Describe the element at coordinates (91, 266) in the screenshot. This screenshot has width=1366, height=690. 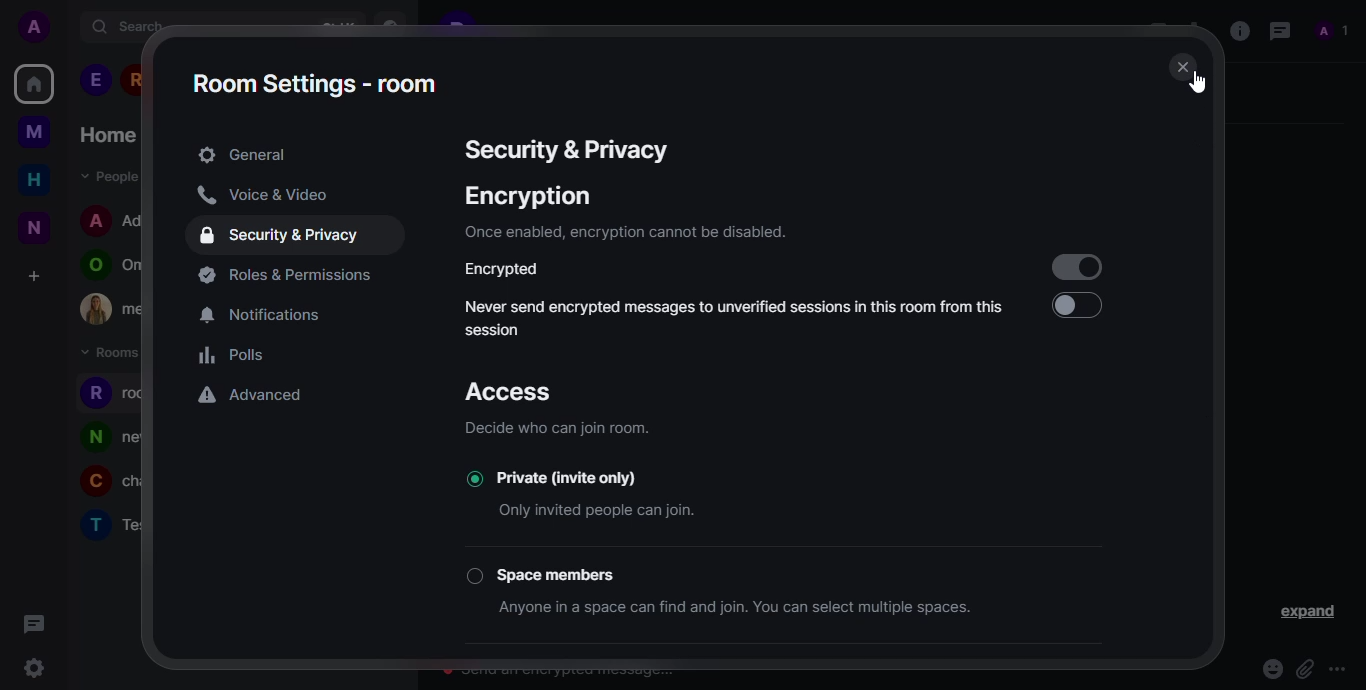
I see `profile` at that location.